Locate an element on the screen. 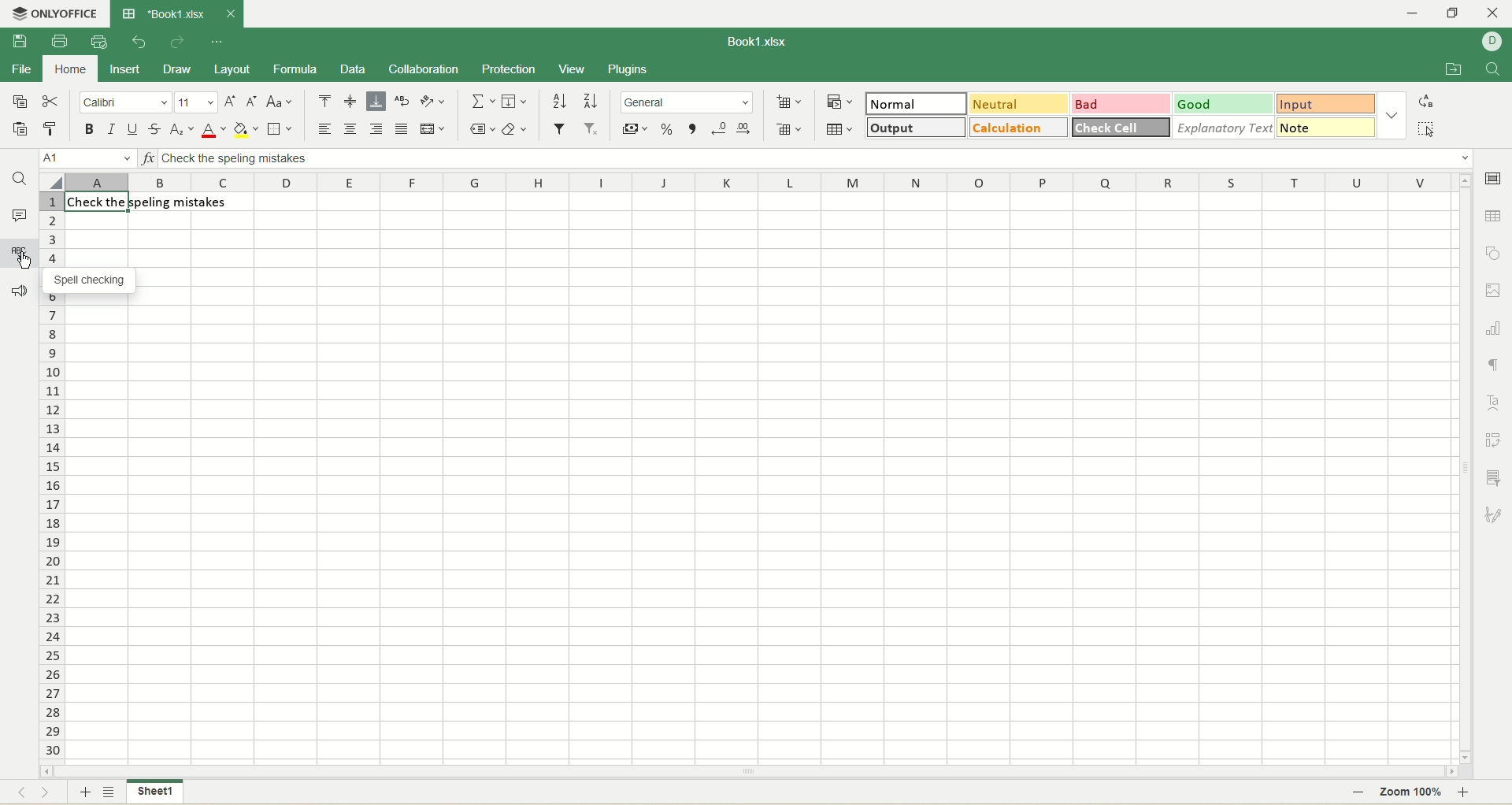  comma style is located at coordinates (693, 129).